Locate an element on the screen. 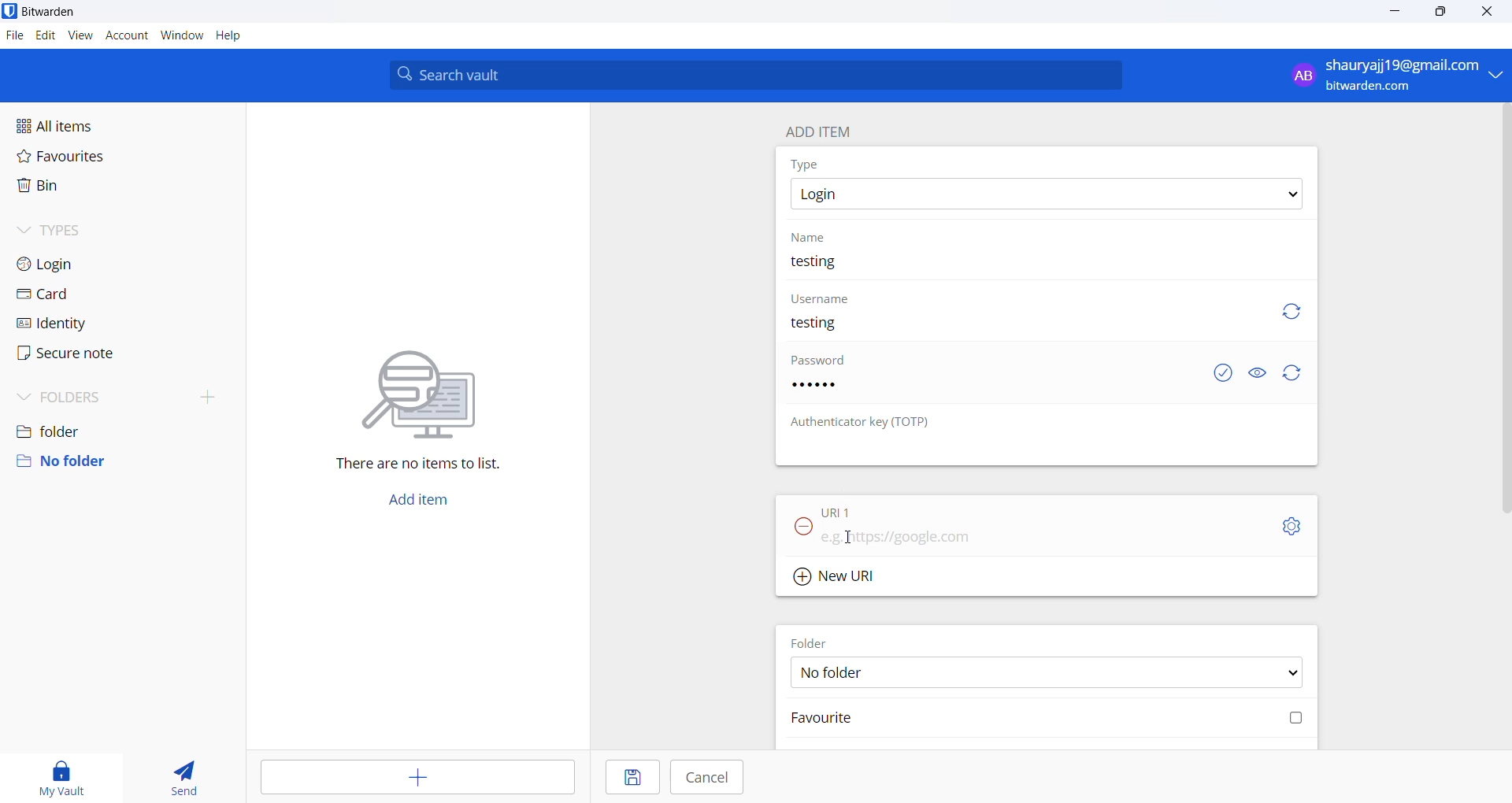  Add new URL is located at coordinates (839, 576).